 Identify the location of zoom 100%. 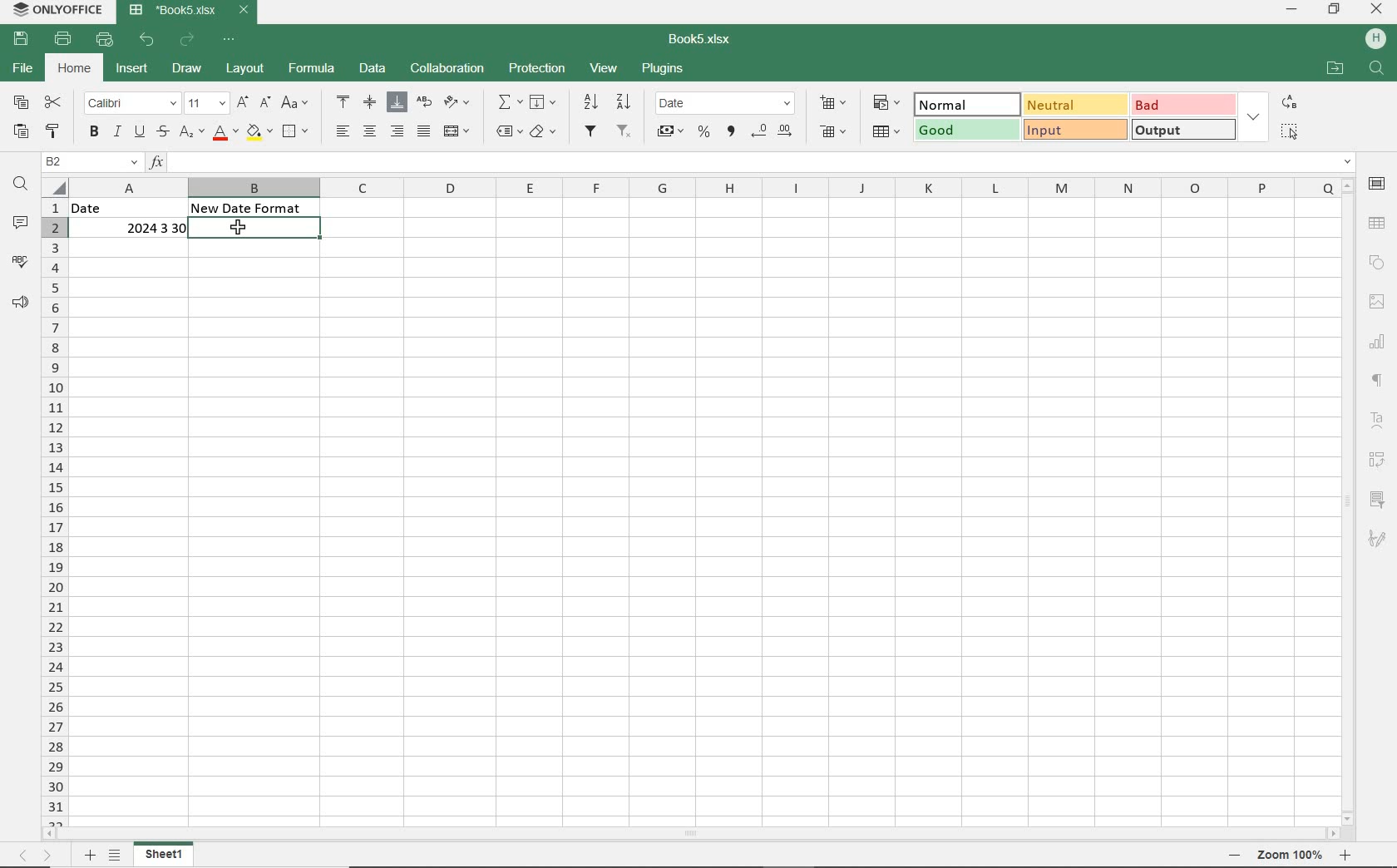
(1290, 855).